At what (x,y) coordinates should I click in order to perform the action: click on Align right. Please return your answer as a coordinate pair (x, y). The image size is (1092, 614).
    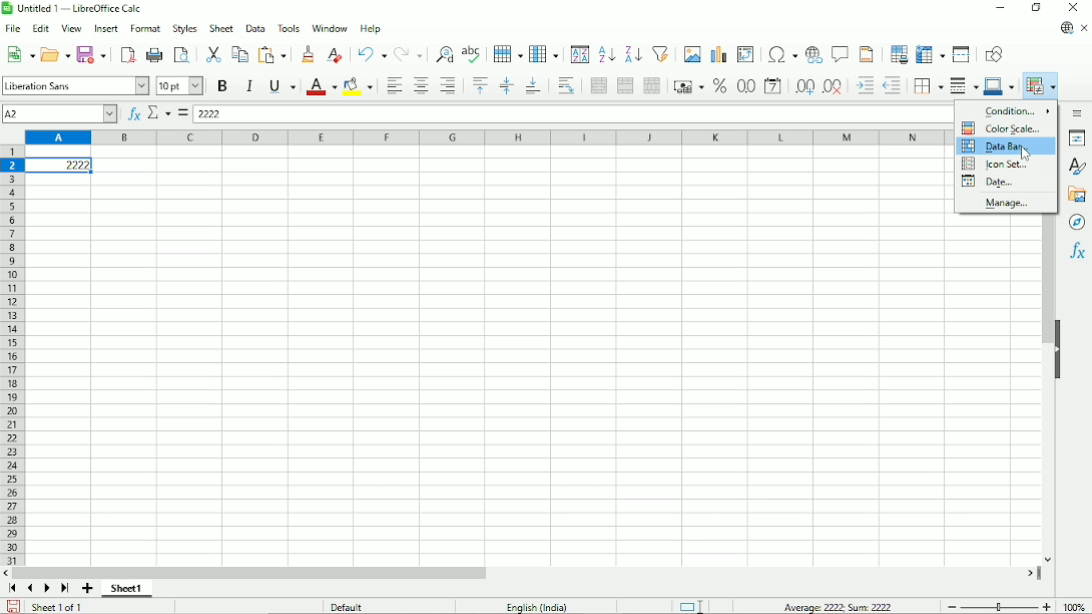
    Looking at the image, I should click on (448, 85).